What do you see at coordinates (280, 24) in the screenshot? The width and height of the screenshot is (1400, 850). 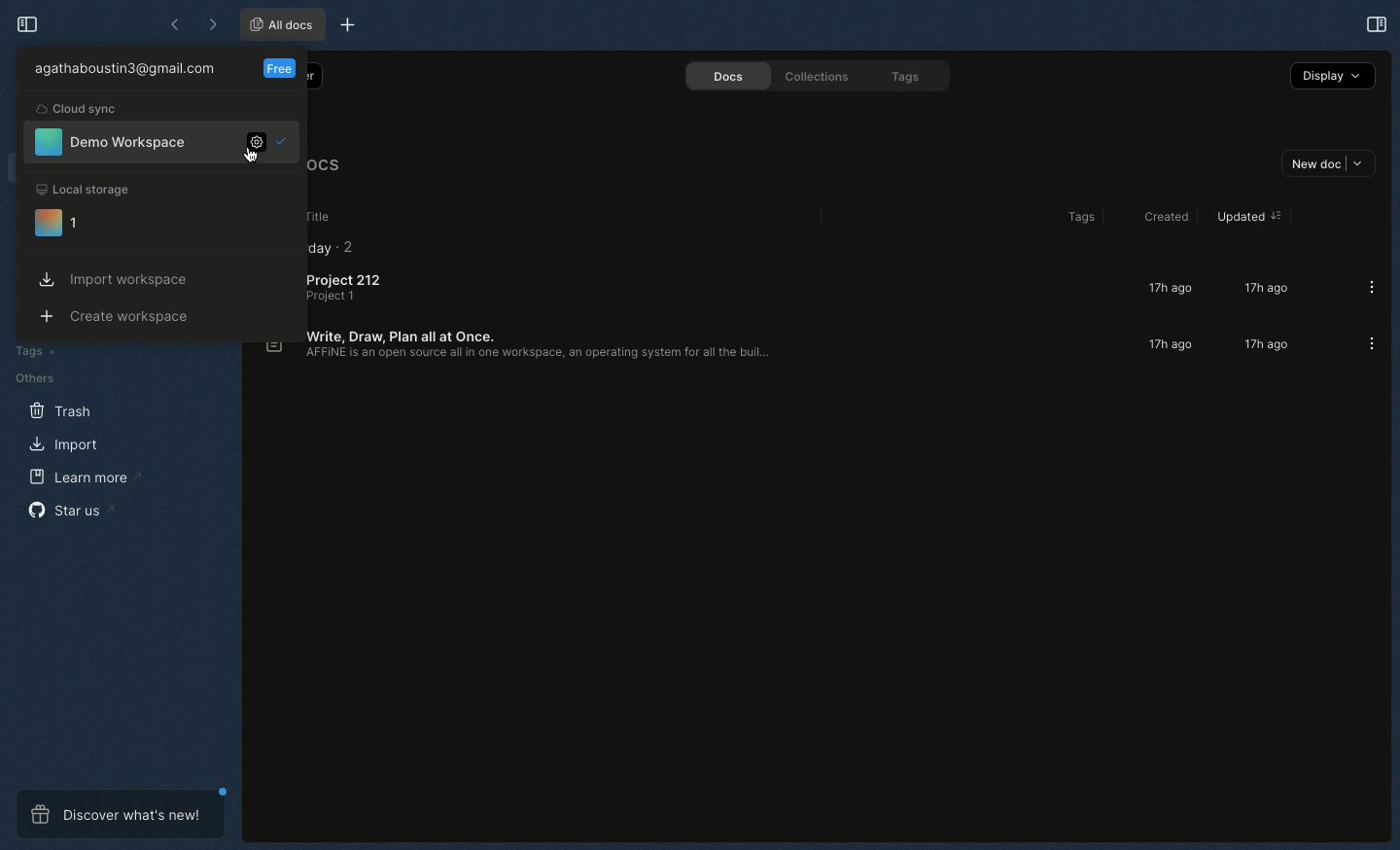 I see `All docs` at bounding box center [280, 24].